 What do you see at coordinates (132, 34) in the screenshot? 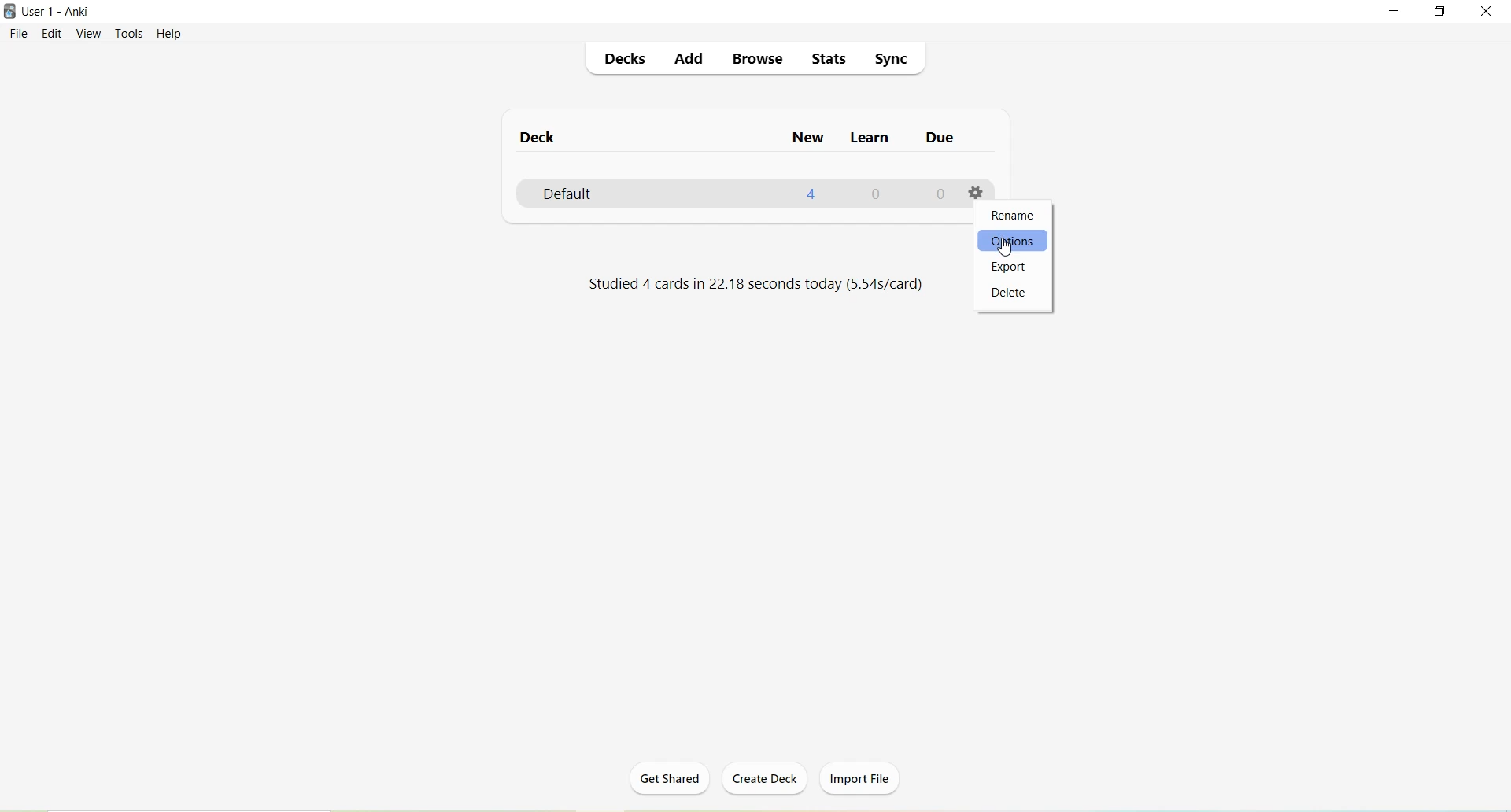
I see `Tools` at bounding box center [132, 34].